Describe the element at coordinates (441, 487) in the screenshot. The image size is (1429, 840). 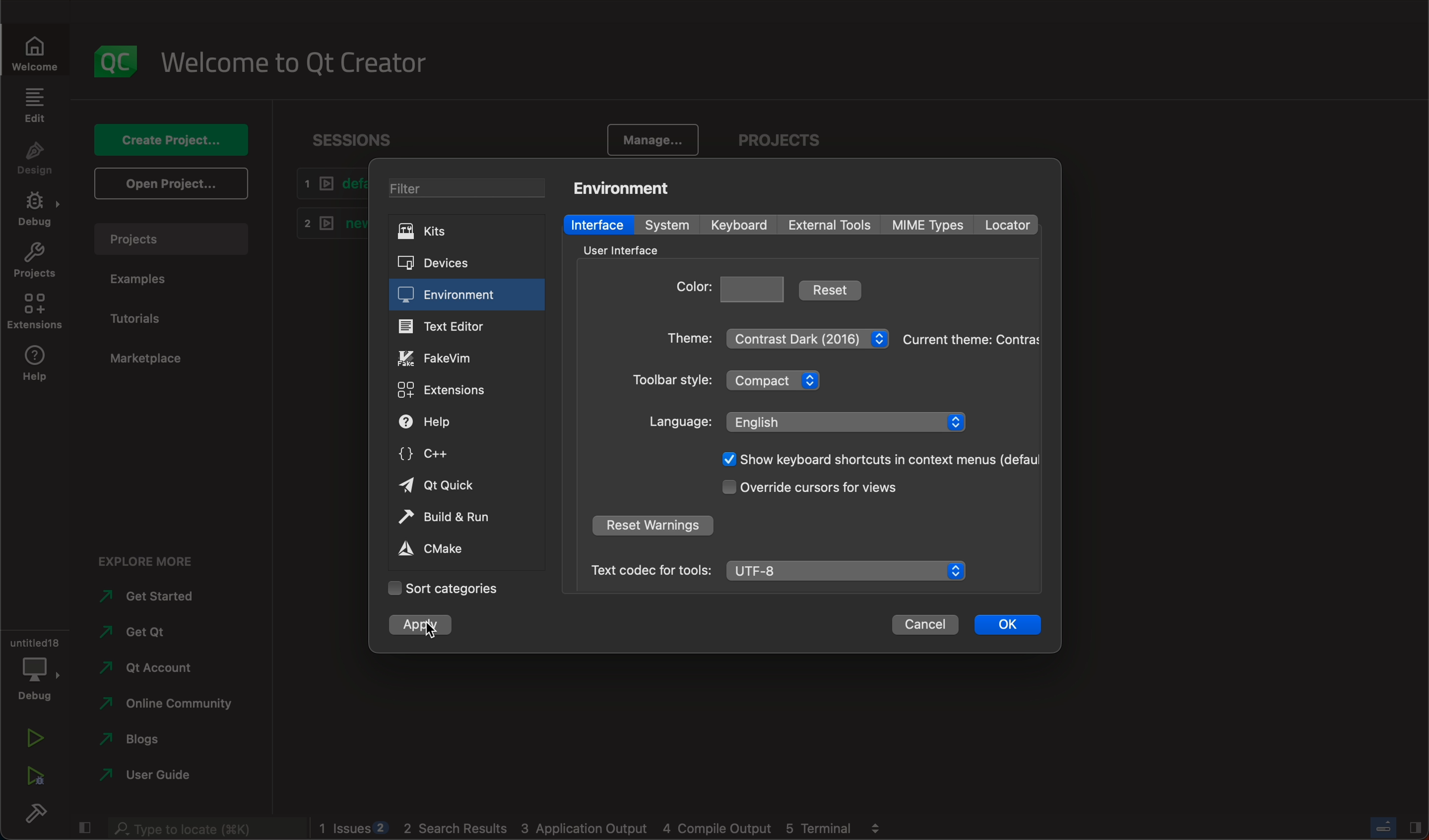
I see `qt quick` at that location.